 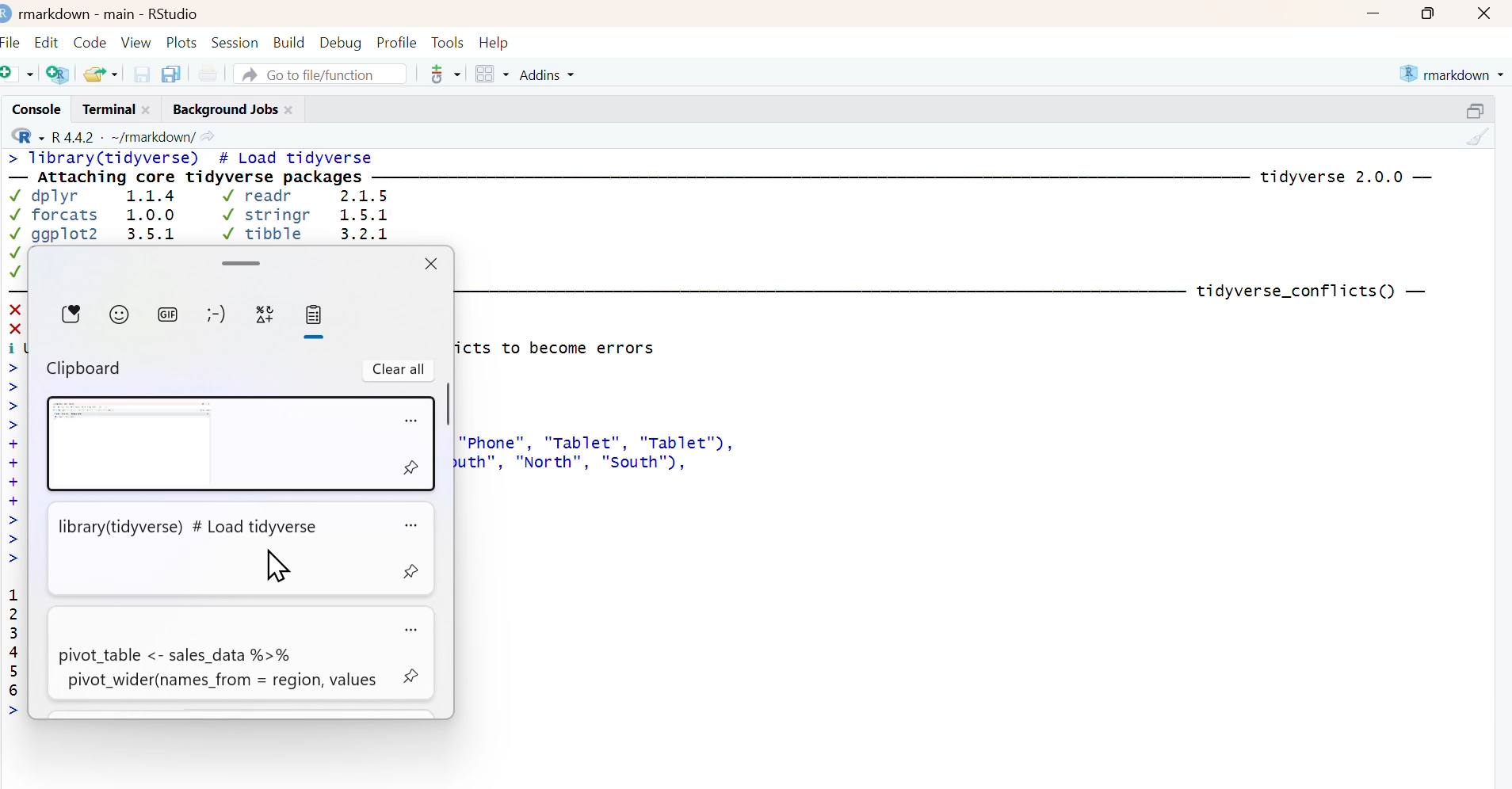 What do you see at coordinates (151, 109) in the screenshot?
I see `close` at bounding box center [151, 109].